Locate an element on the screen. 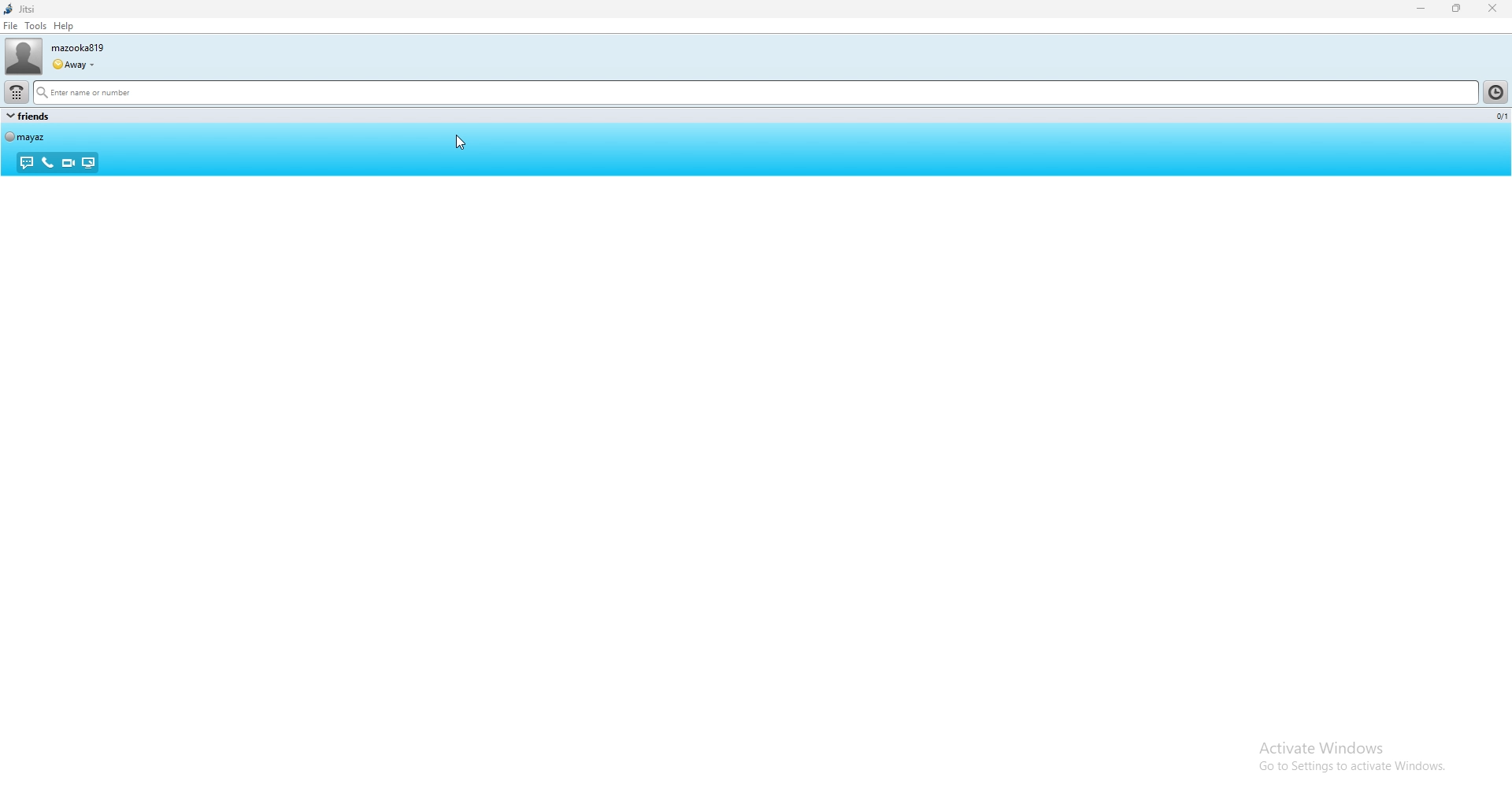  tools is located at coordinates (35, 25).